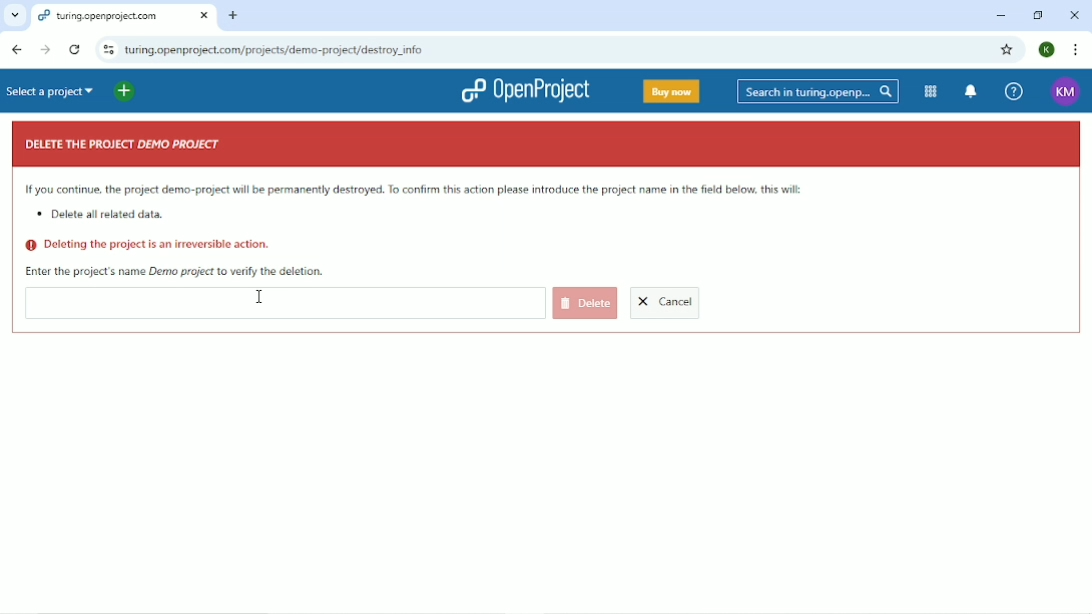 Image resolution: width=1092 pixels, height=614 pixels. What do you see at coordinates (998, 17) in the screenshot?
I see `Minimize` at bounding box center [998, 17].